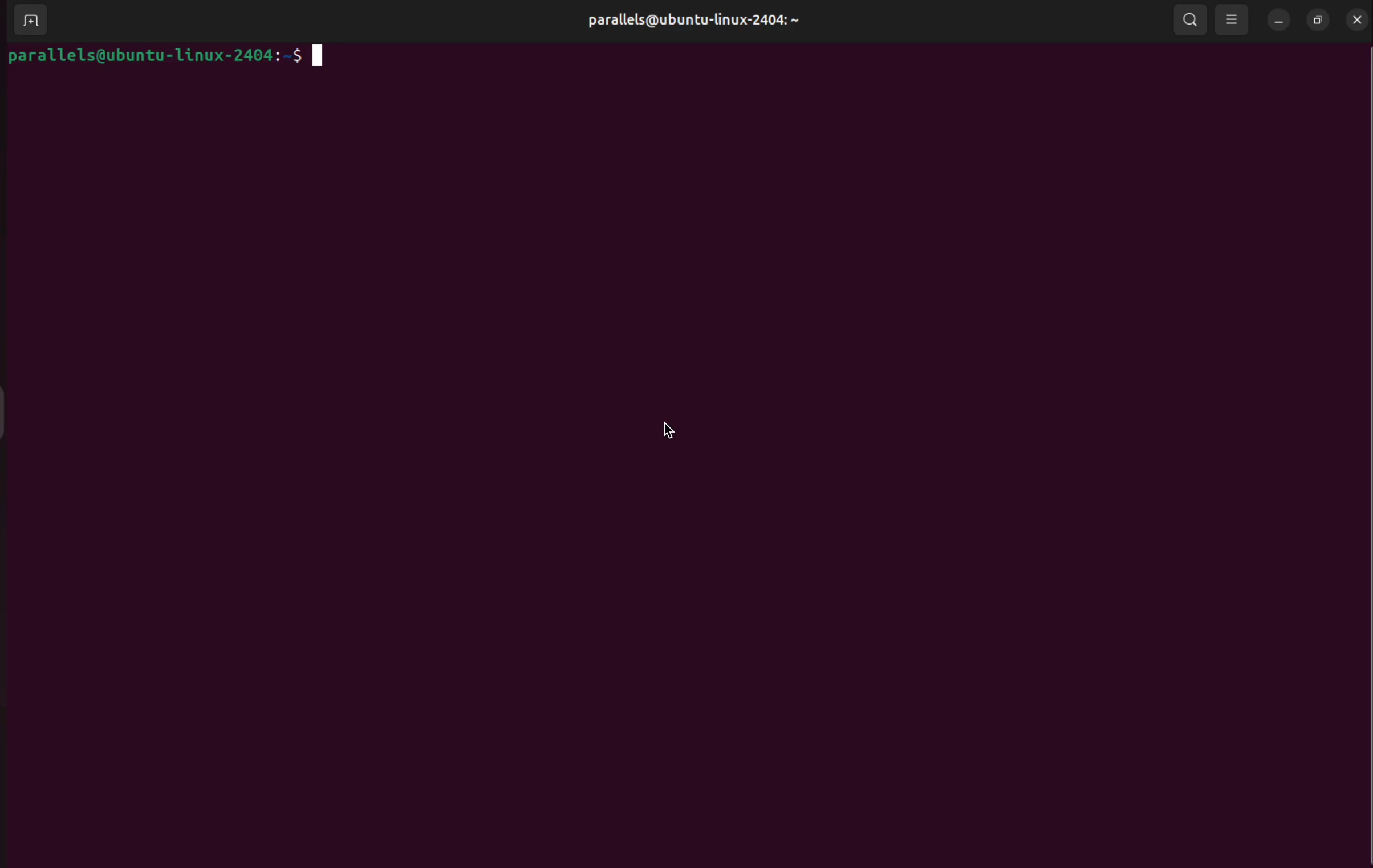 The height and width of the screenshot is (868, 1373). I want to click on view options, so click(1233, 20).